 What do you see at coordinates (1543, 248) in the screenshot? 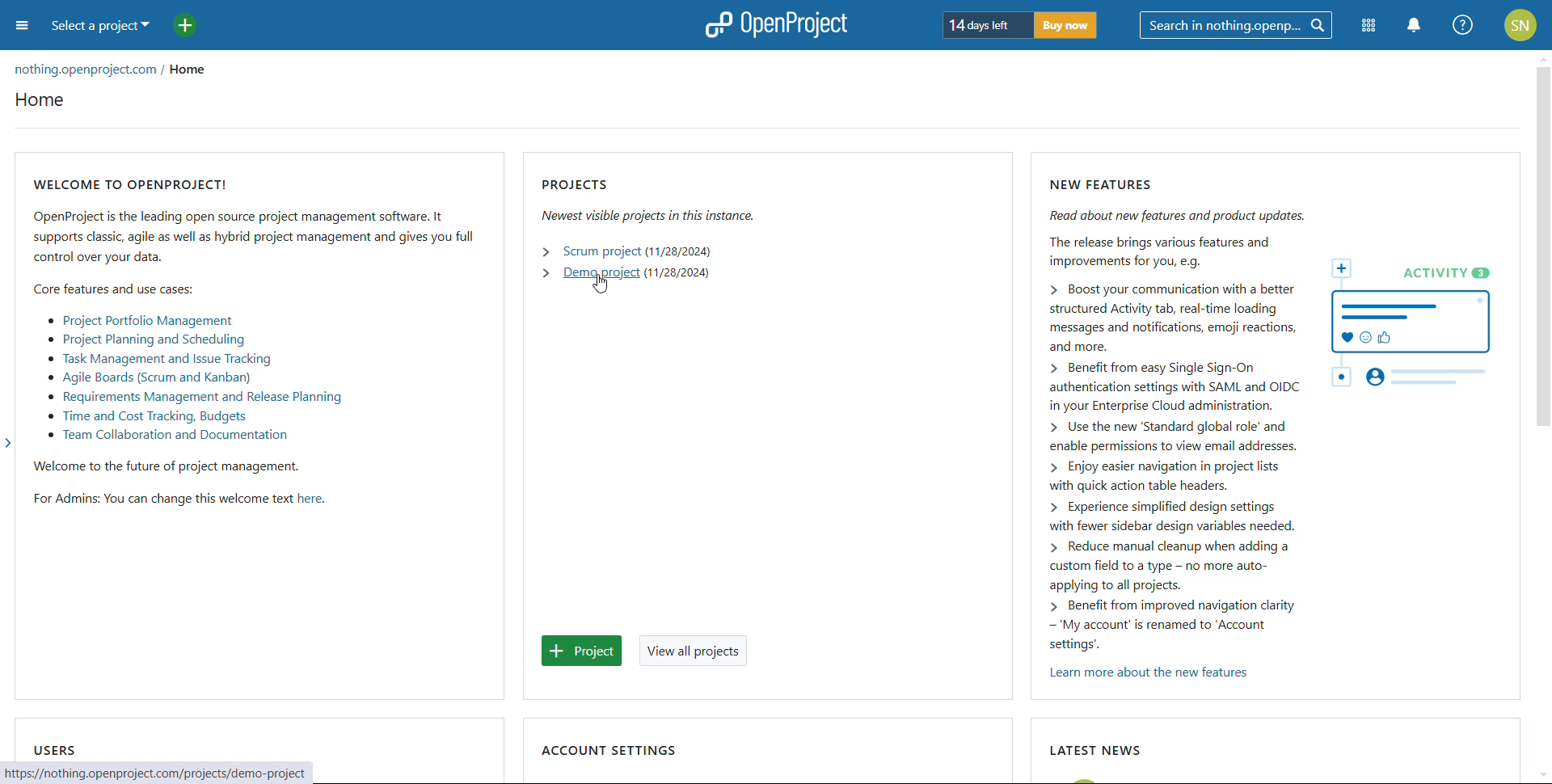
I see `scrollbar` at bounding box center [1543, 248].